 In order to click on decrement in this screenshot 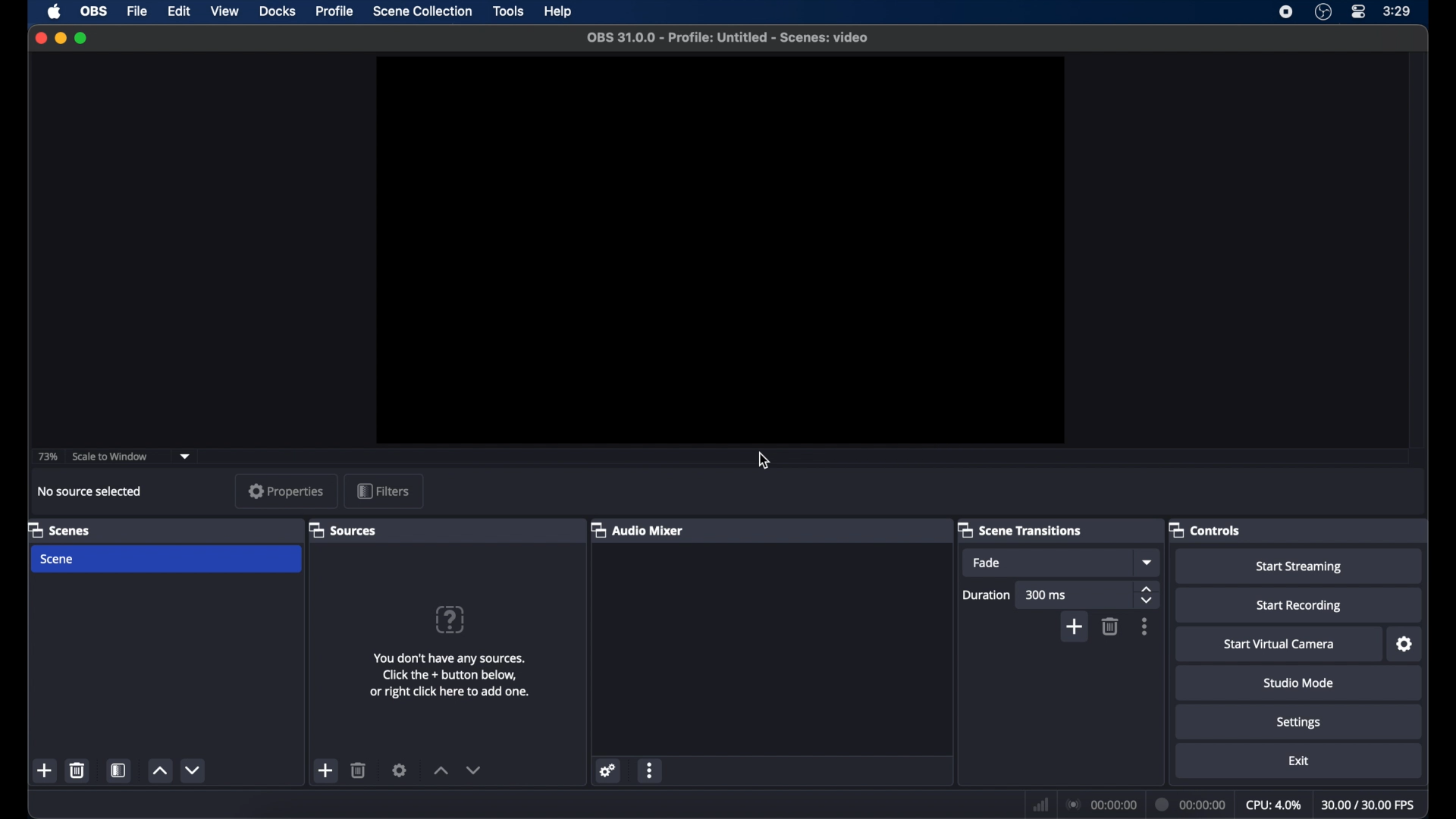, I will do `click(475, 770)`.